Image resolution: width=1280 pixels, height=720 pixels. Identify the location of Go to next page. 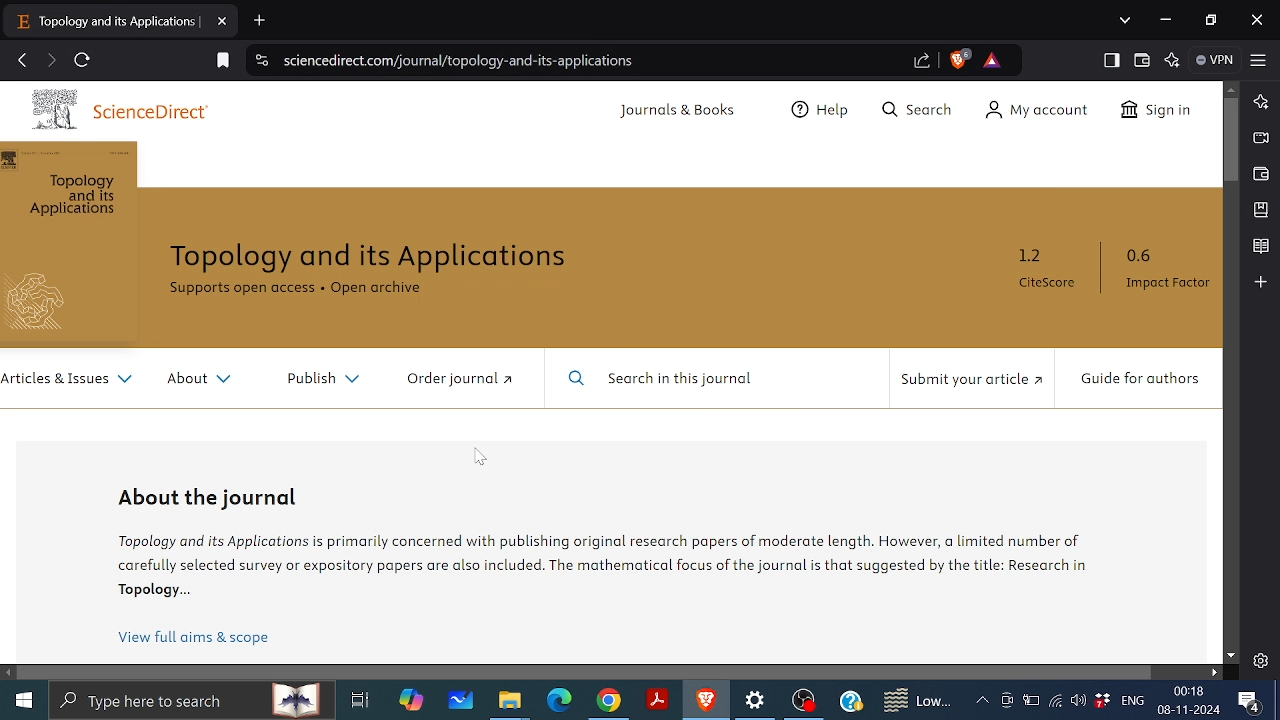
(50, 62).